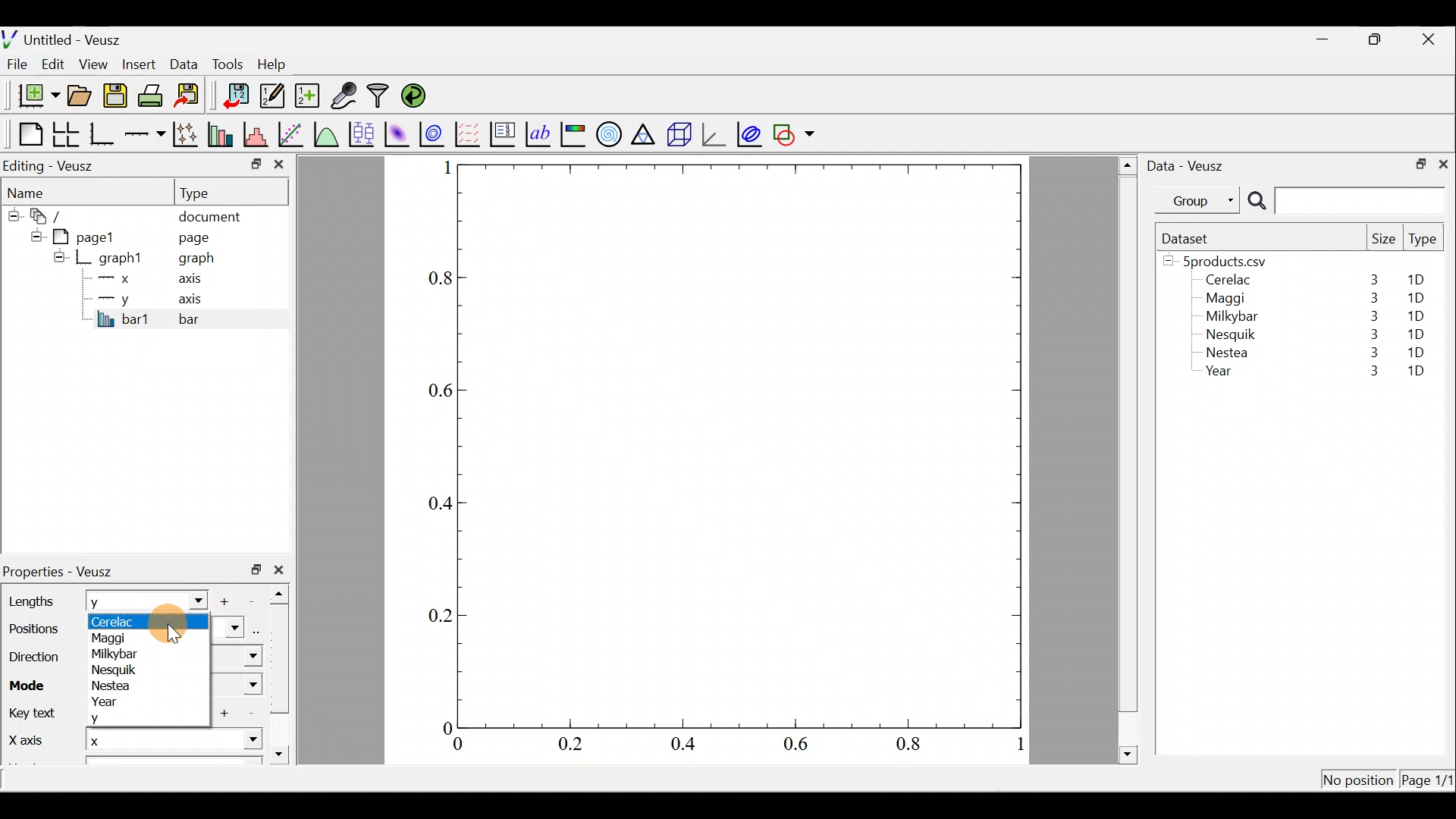 The width and height of the screenshot is (1456, 819). What do you see at coordinates (1418, 331) in the screenshot?
I see `1D` at bounding box center [1418, 331].